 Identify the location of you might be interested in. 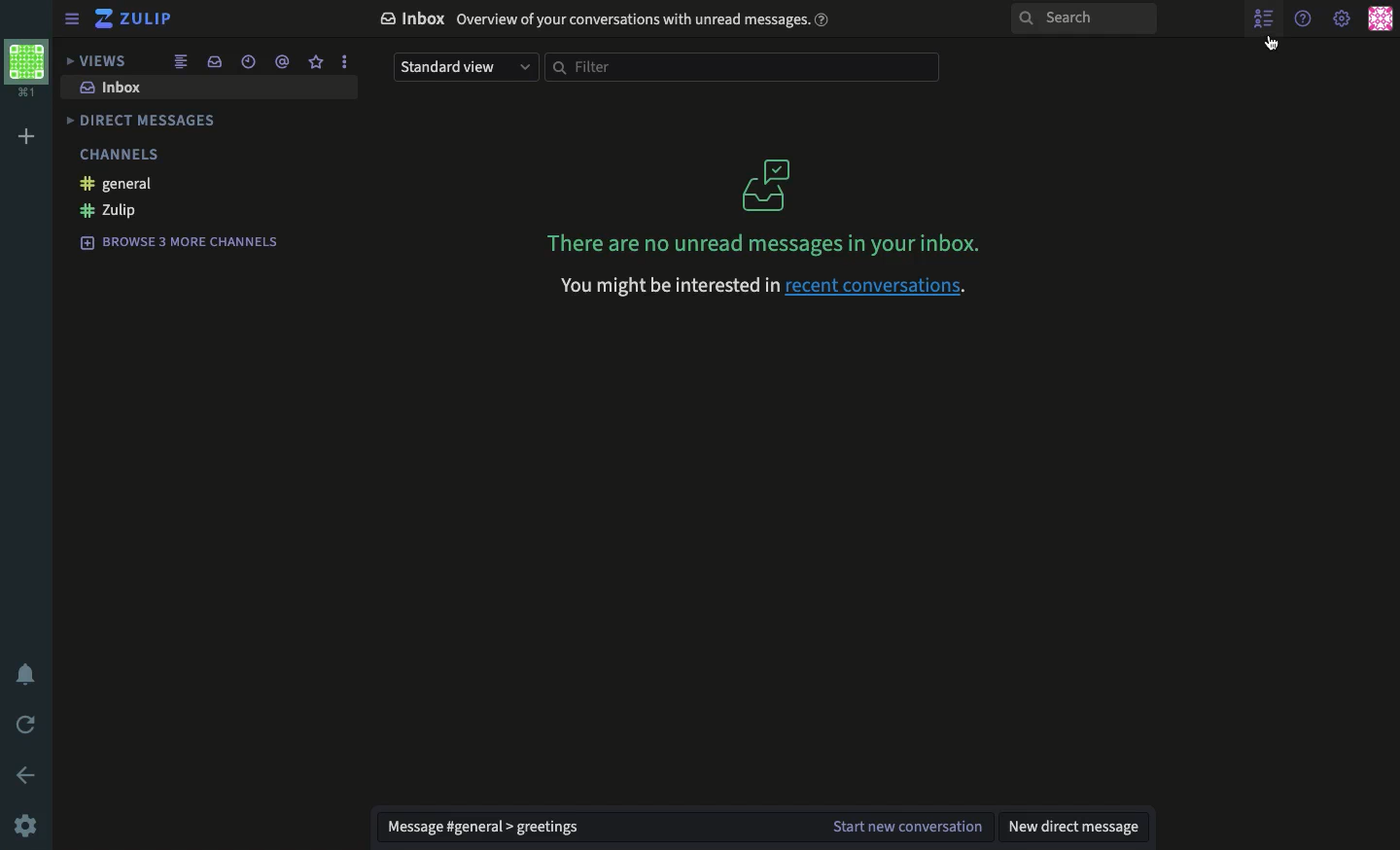
(666, 287).